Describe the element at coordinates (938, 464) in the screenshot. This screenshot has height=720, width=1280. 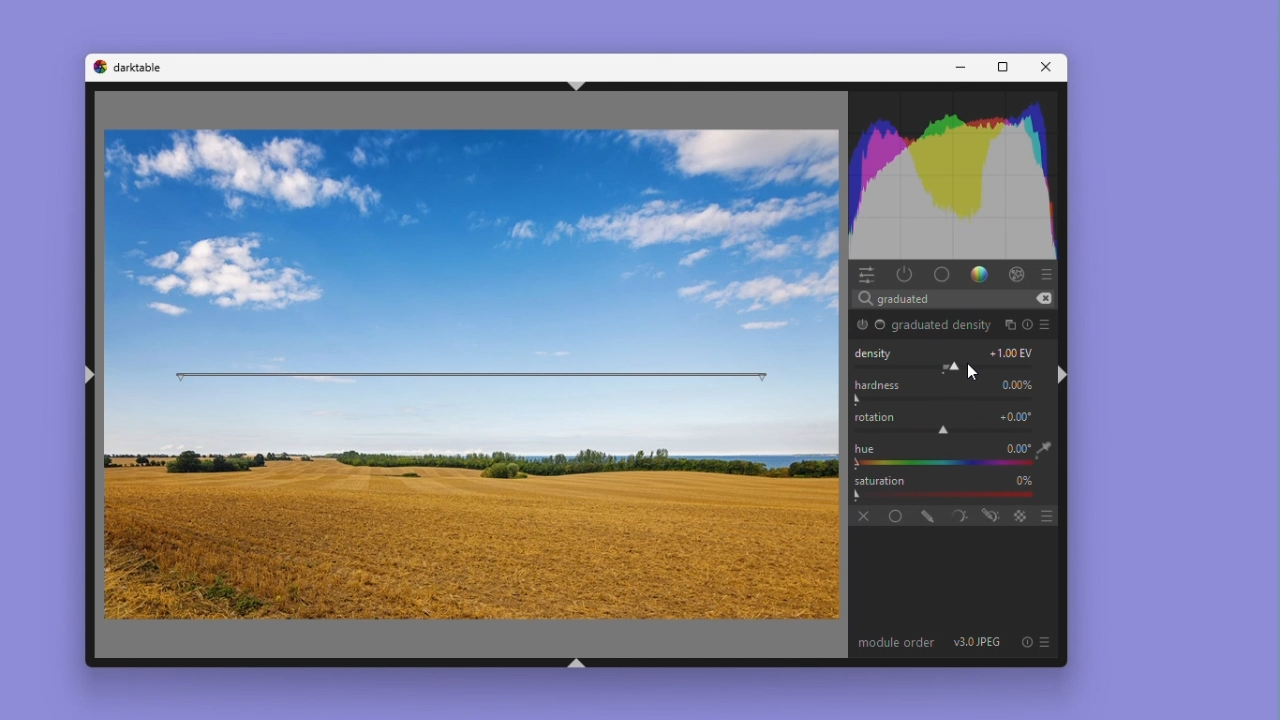
I see `color picker` at that location.